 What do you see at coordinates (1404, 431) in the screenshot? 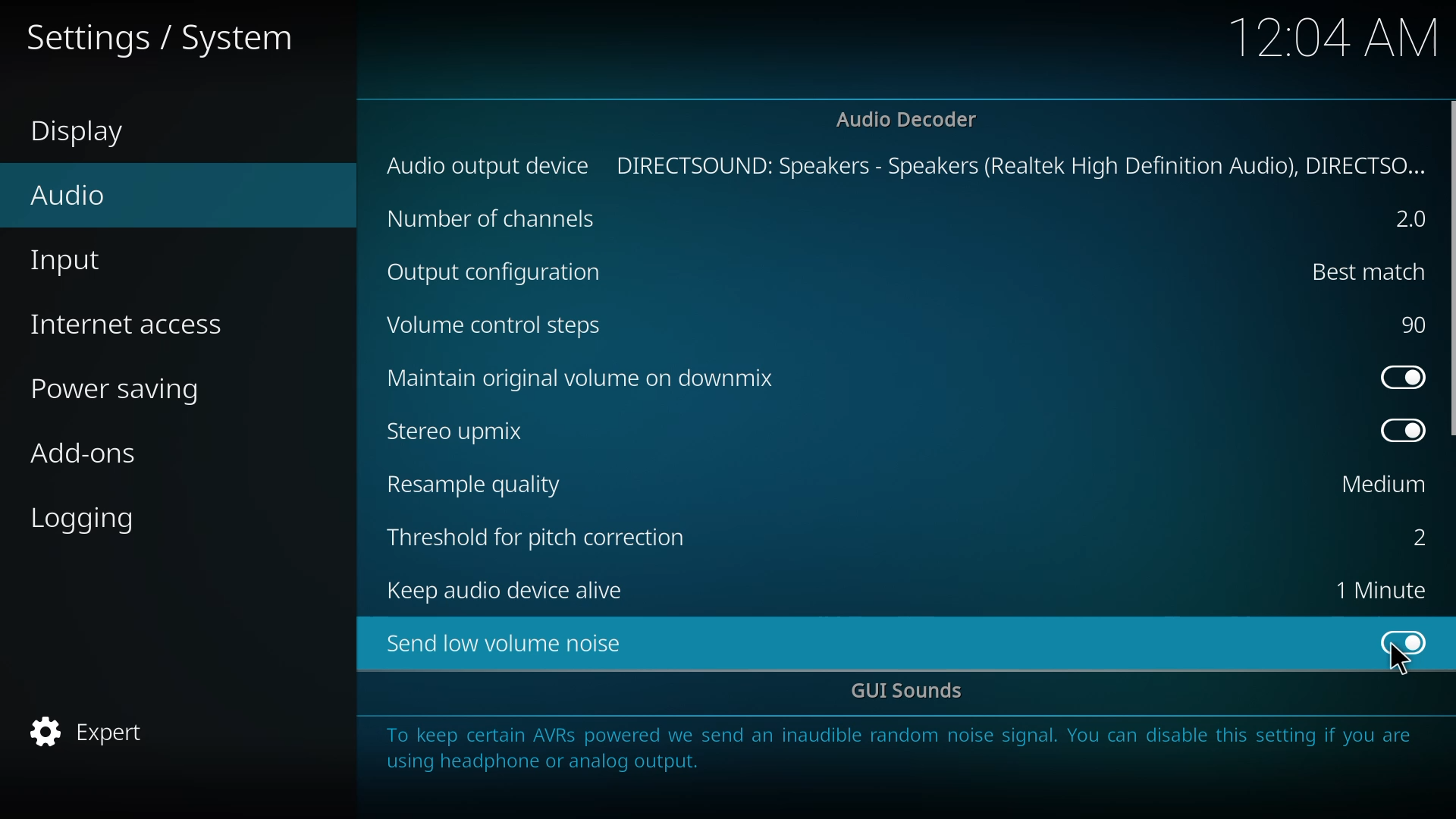
I see `enabled` at bounding box center [1404, 431].